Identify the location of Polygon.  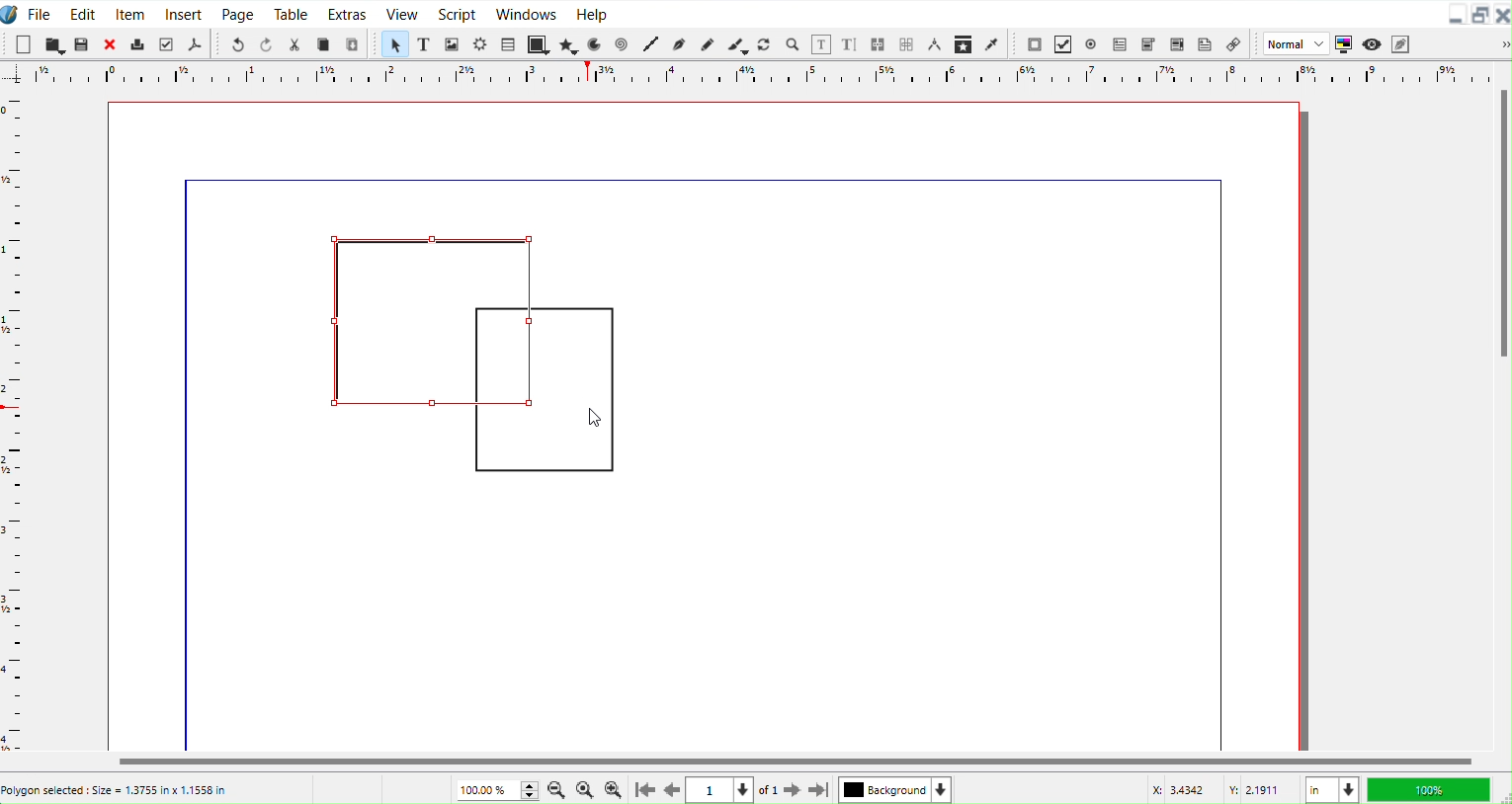
(569, 45).